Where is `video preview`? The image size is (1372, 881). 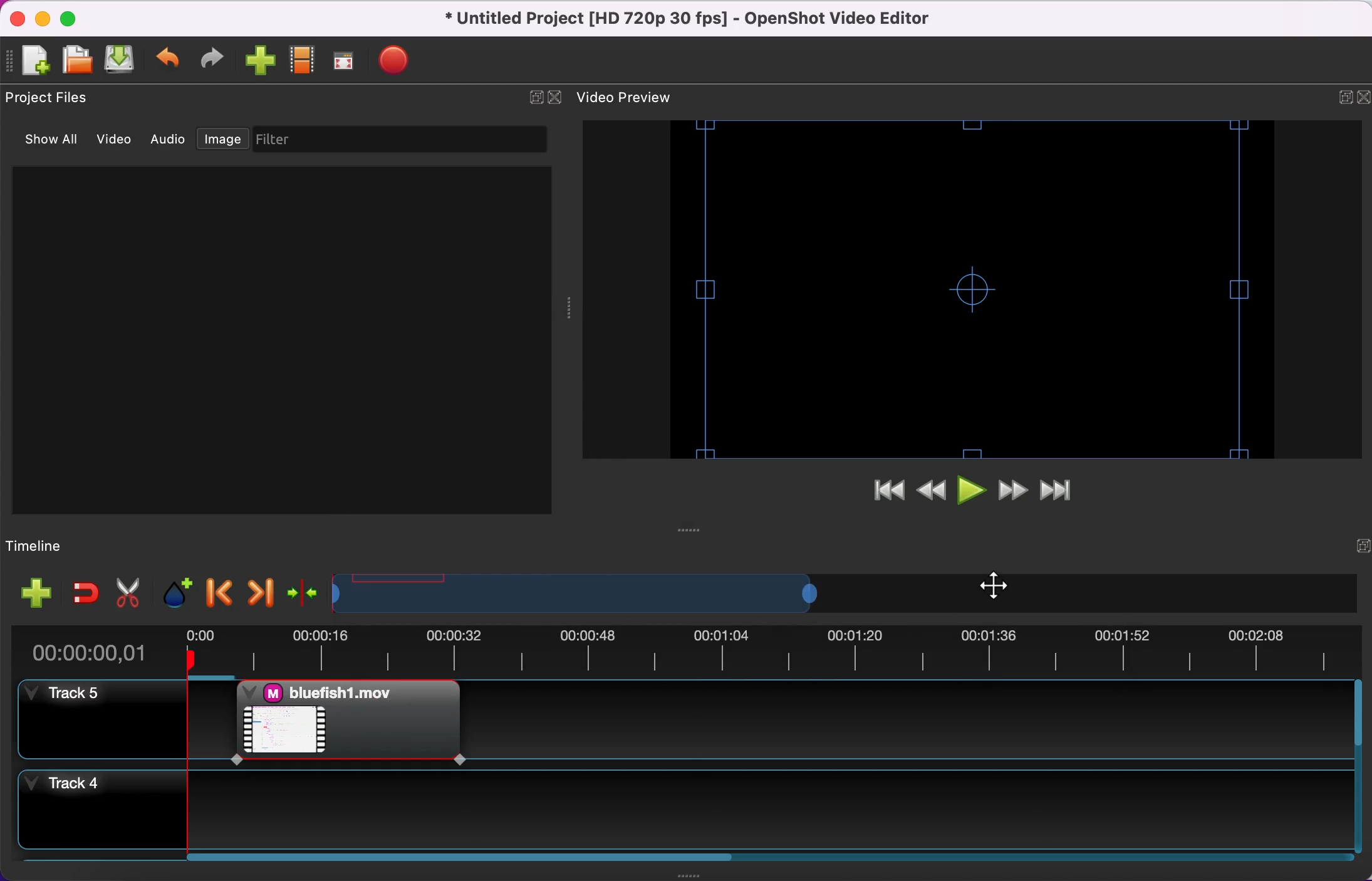
video preview is located at coordinates (635, 96).